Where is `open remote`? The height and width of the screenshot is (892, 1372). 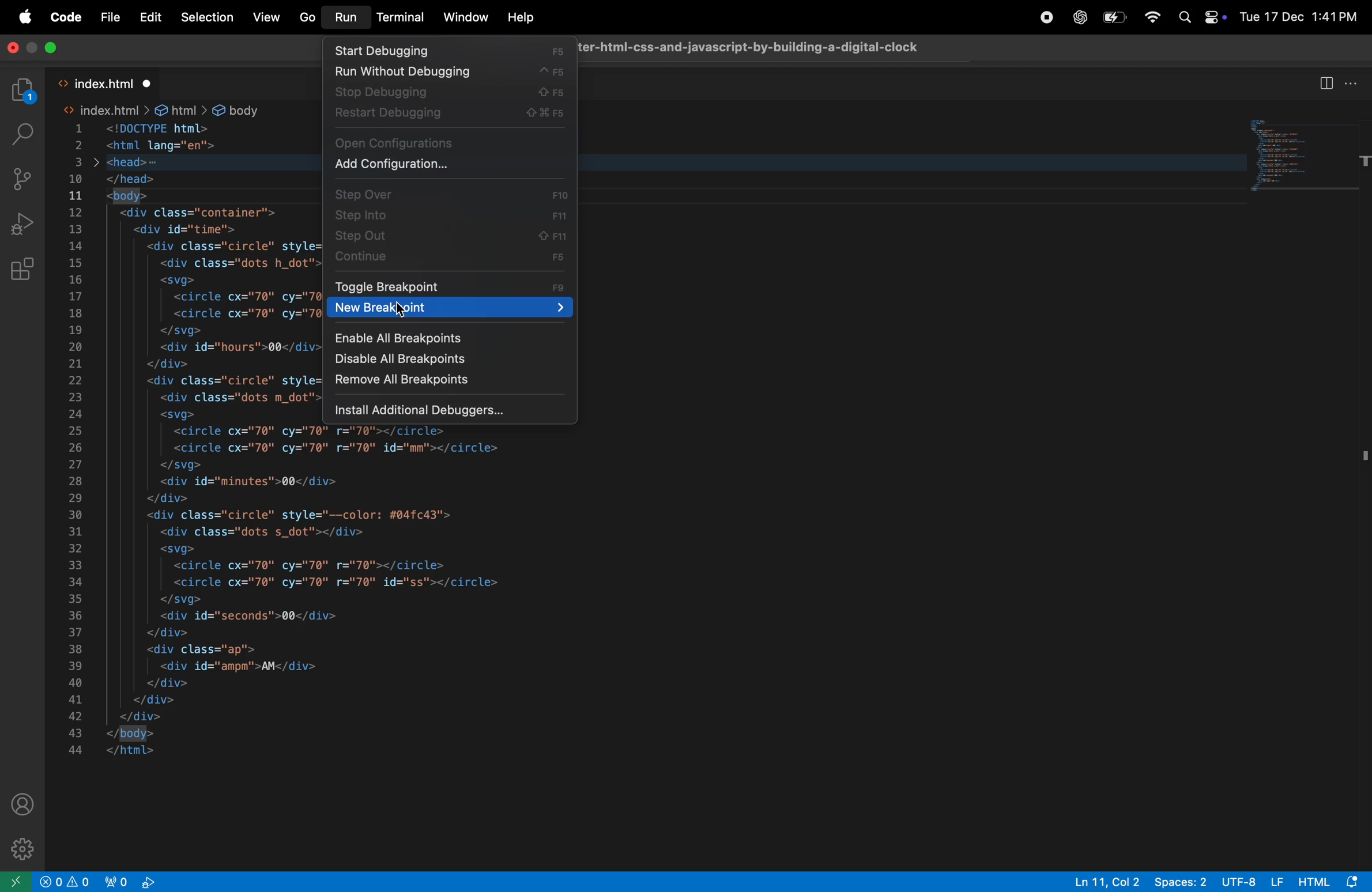 open remote is located at coordinates (16, 880).